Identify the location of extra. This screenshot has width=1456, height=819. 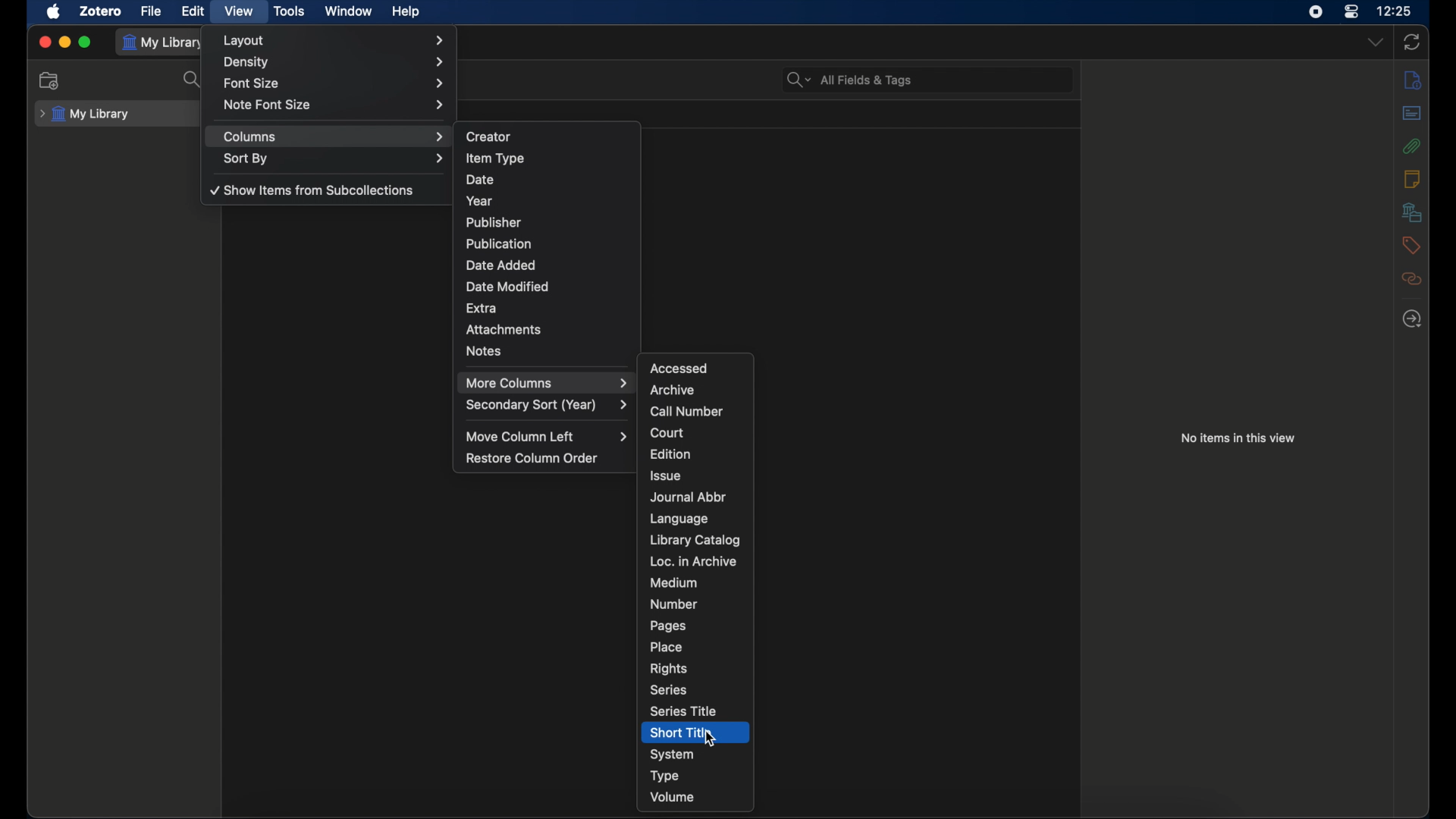
(482, 309).